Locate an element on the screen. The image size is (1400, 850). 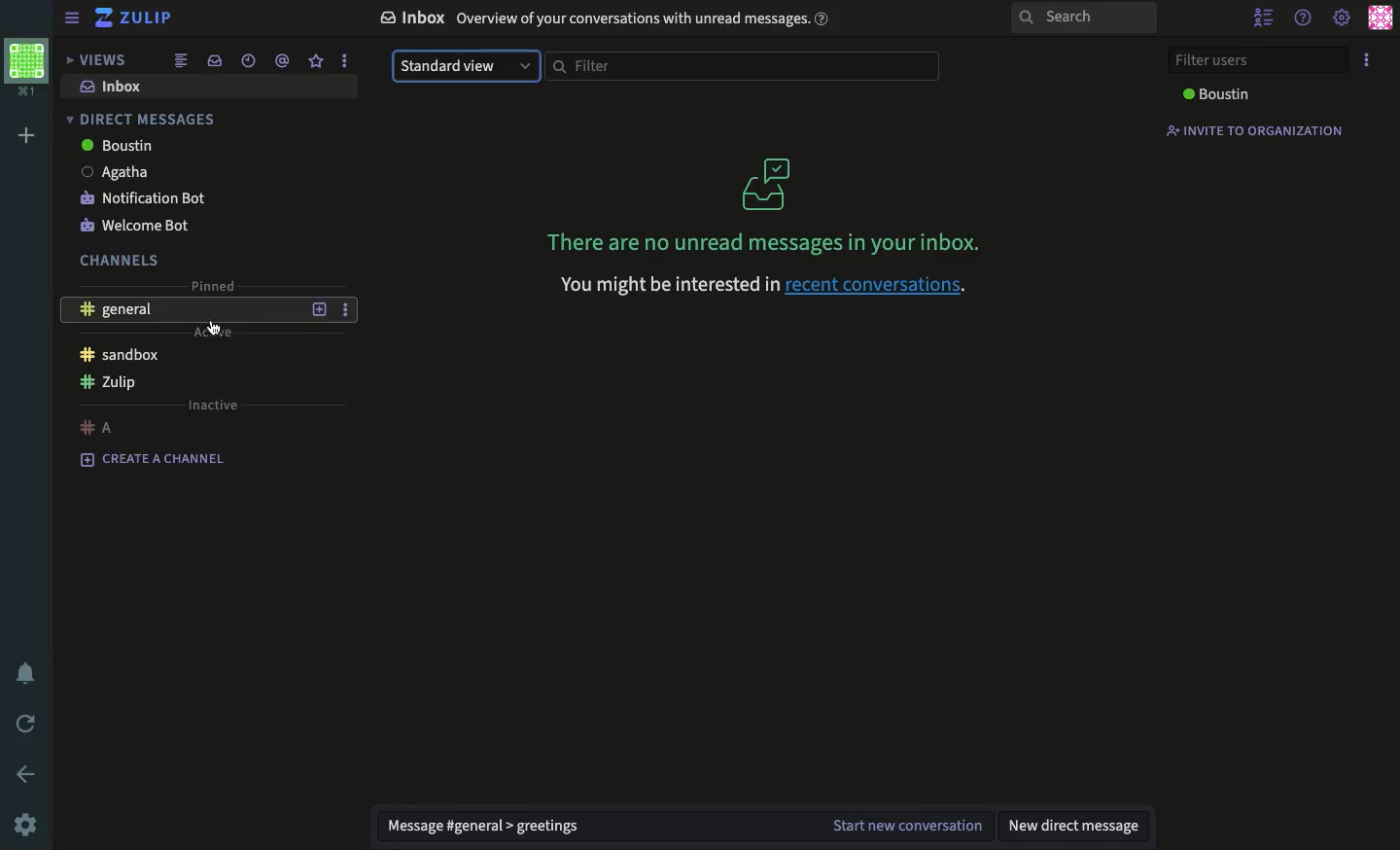
© Inbox Overview of your conversations with unread messages. @ is located at coordinates (610, 21).